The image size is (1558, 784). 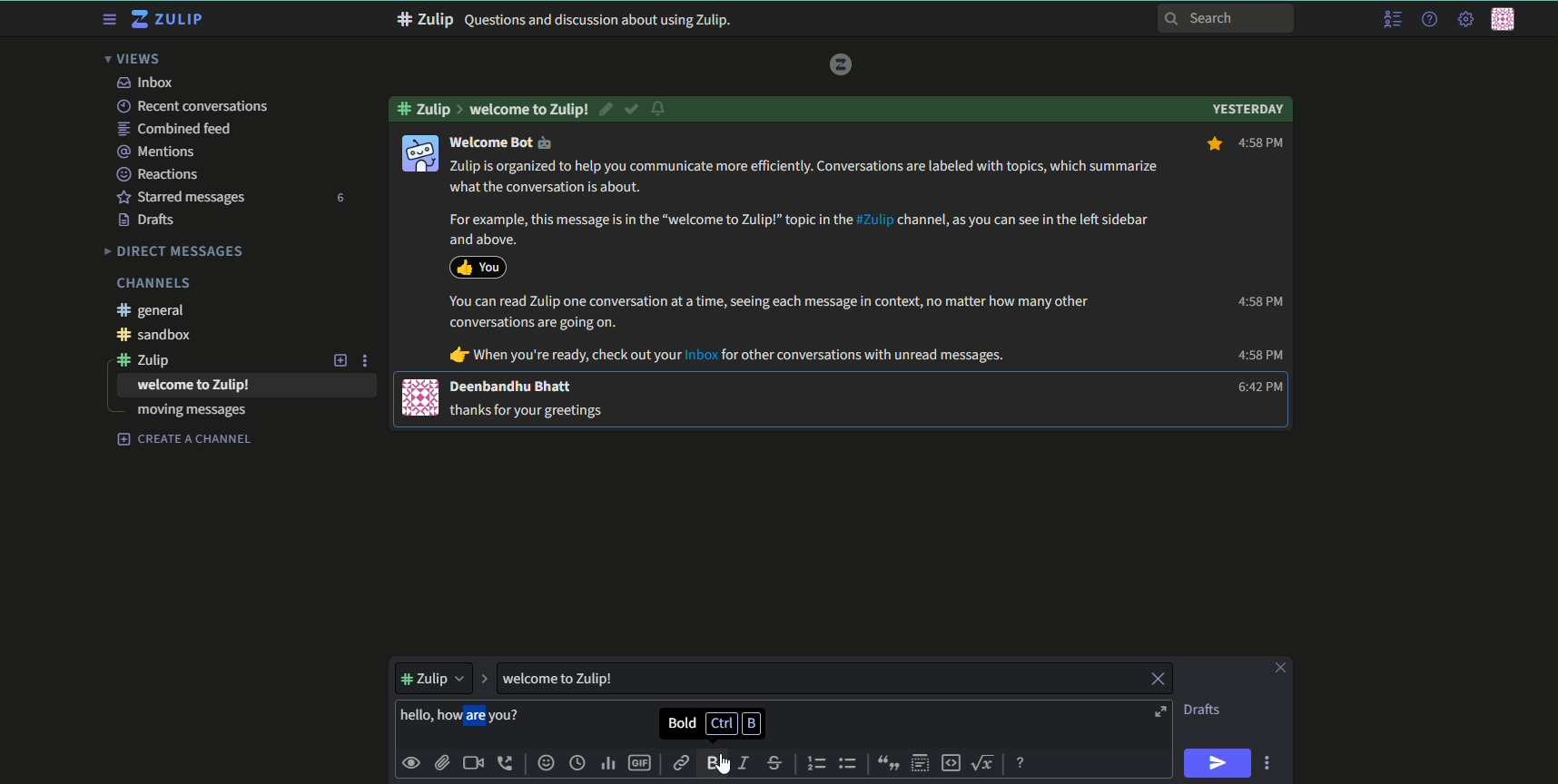 What do you see at coordinates (432, 676) in the screenshot?
I see `dropdown` at bounding box center [432, 676].